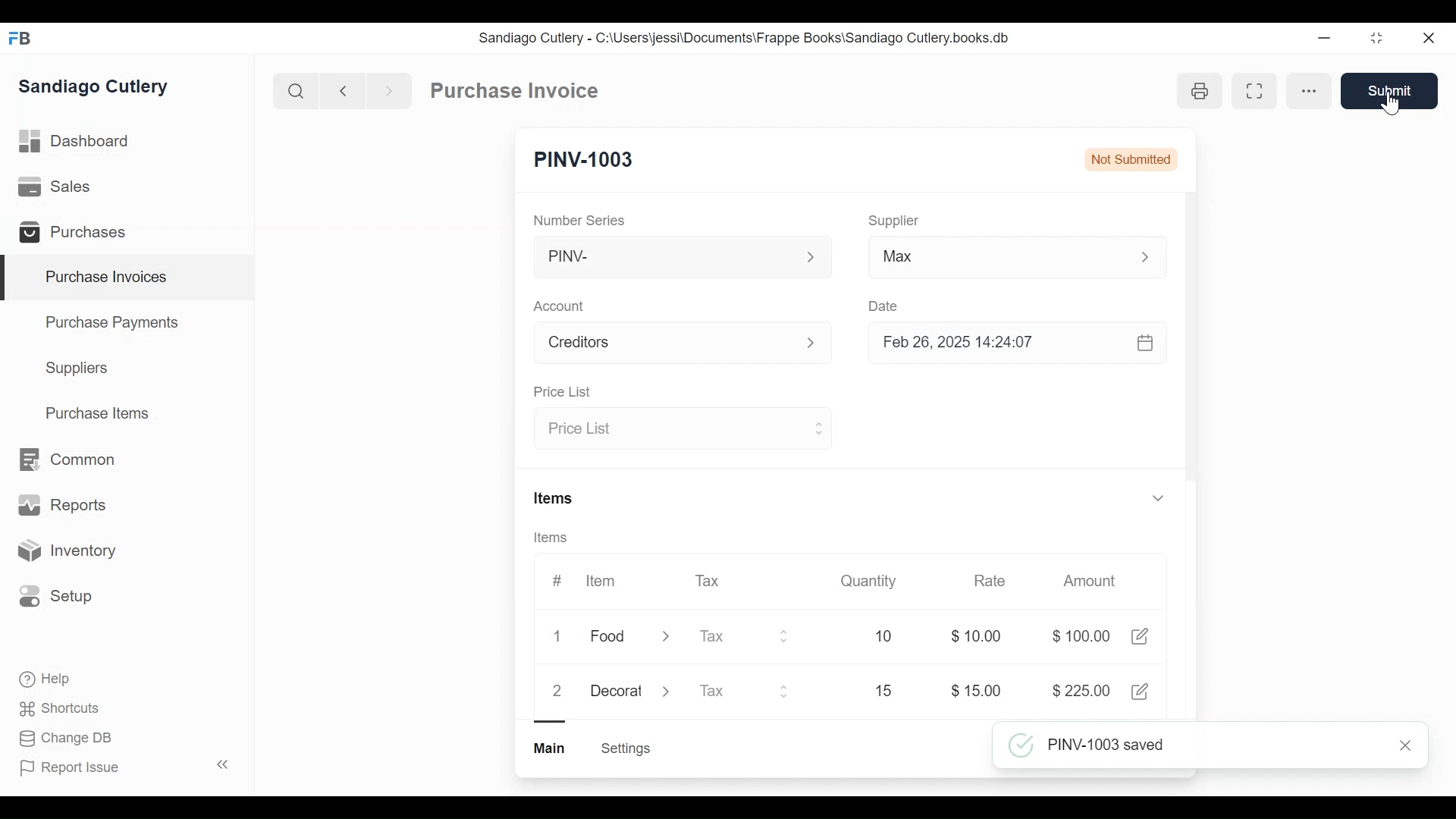 Image resolution: width=1456 pixels, height=819 pixels. Describe the element at coordinates (62, 508) in the screenshot. I see `Reports` at that location.